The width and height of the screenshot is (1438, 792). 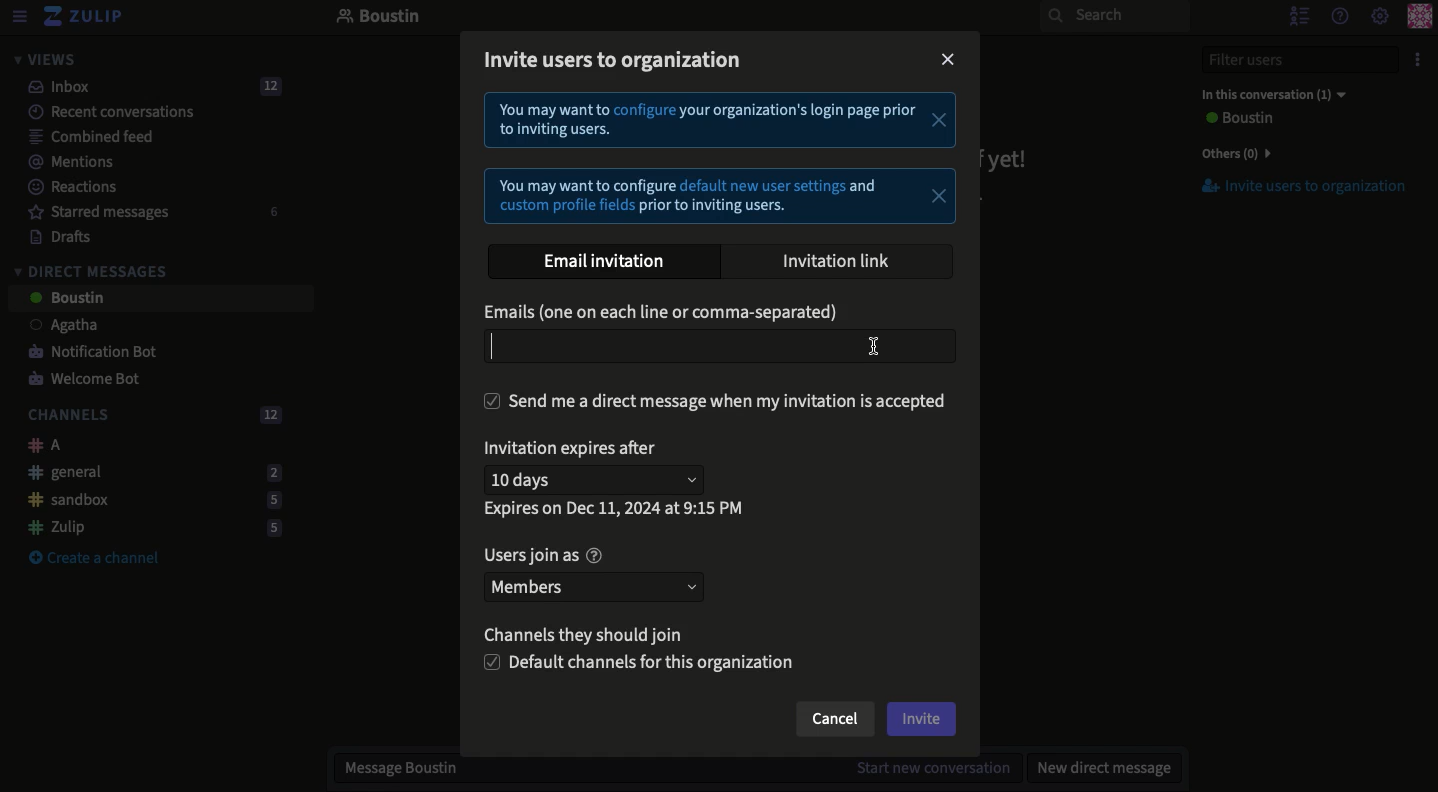 What do you see at coordinates (885, 347) in the screenshot?
I see `cursor` at bounding box center [885, 347].